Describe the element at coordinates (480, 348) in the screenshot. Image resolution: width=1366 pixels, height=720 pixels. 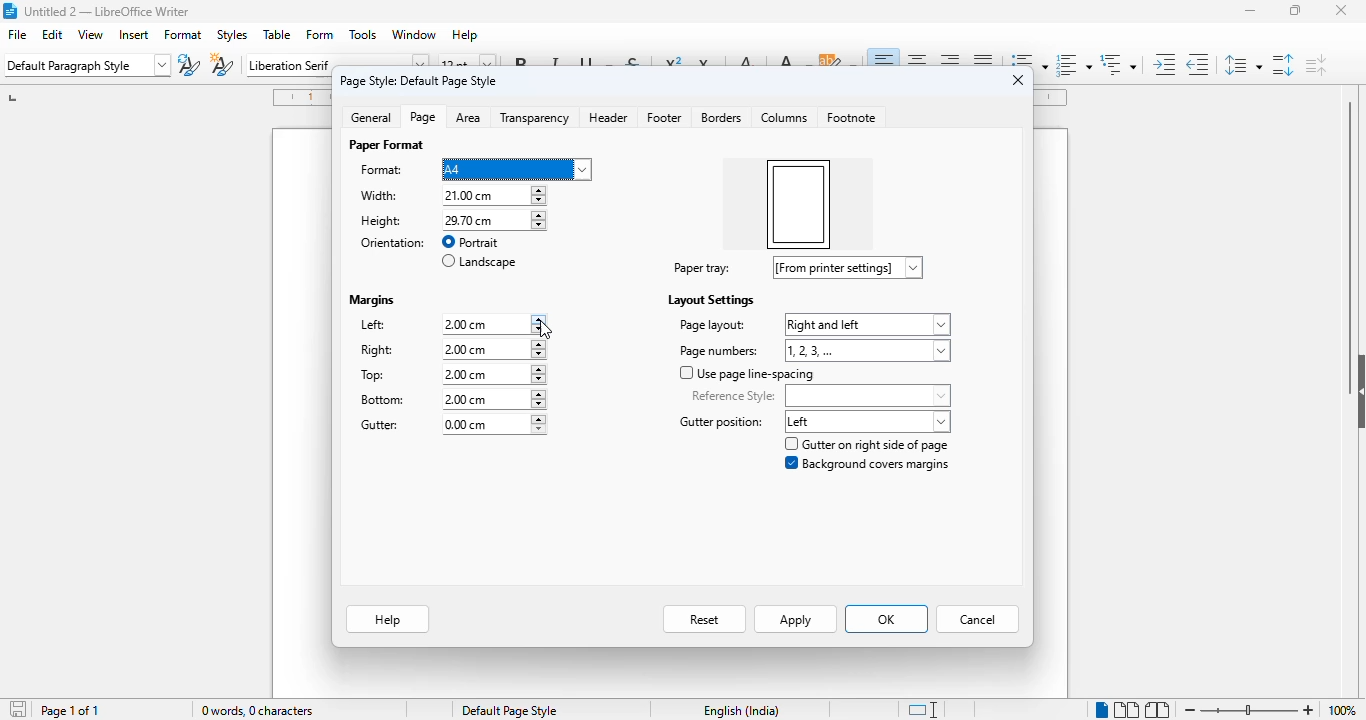
I see `right margin input box` at that location.